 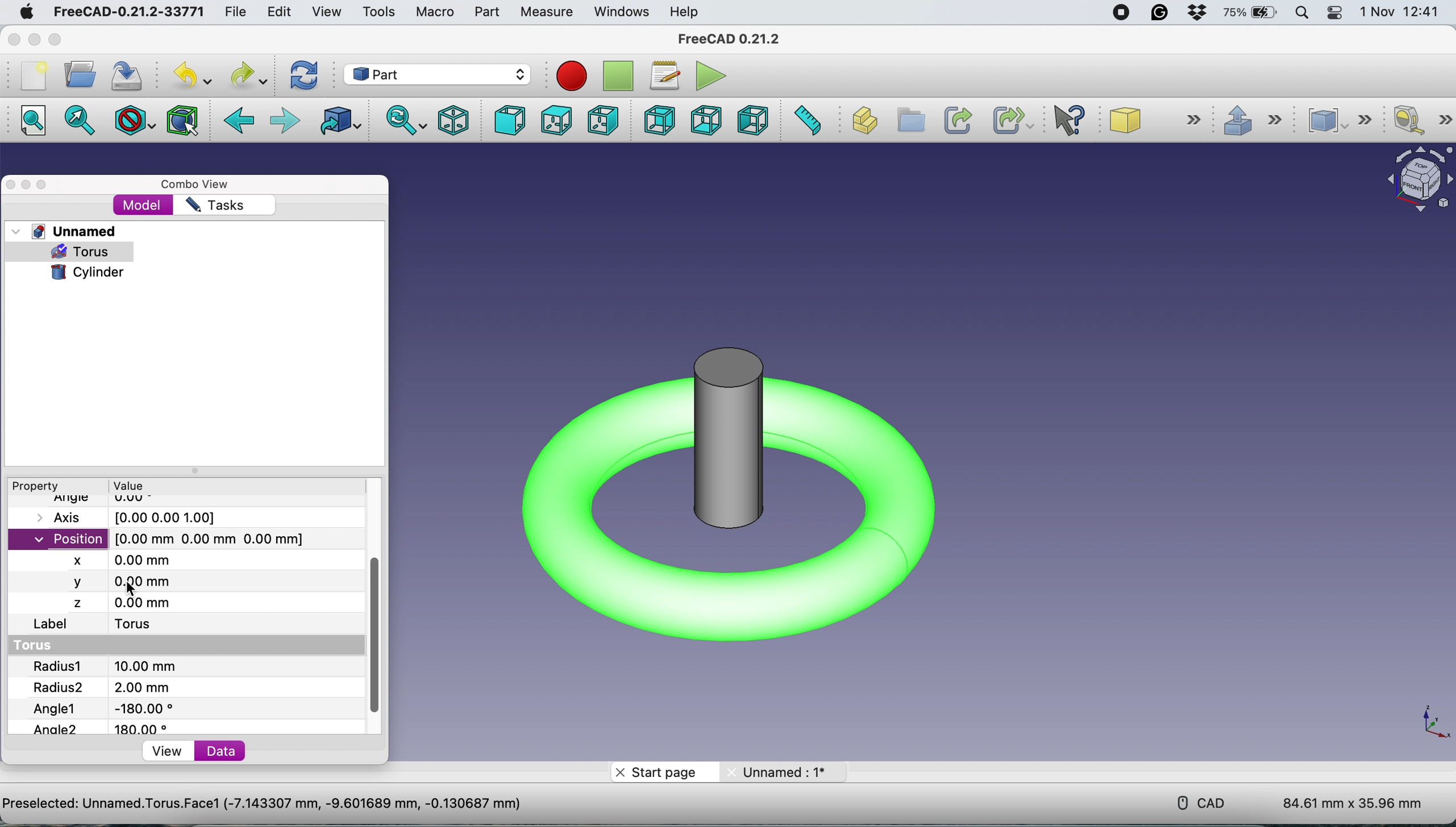 What do you see at coordinates (511, 121) in the screenshot?
I see `front` at bounding box center [511, 121].